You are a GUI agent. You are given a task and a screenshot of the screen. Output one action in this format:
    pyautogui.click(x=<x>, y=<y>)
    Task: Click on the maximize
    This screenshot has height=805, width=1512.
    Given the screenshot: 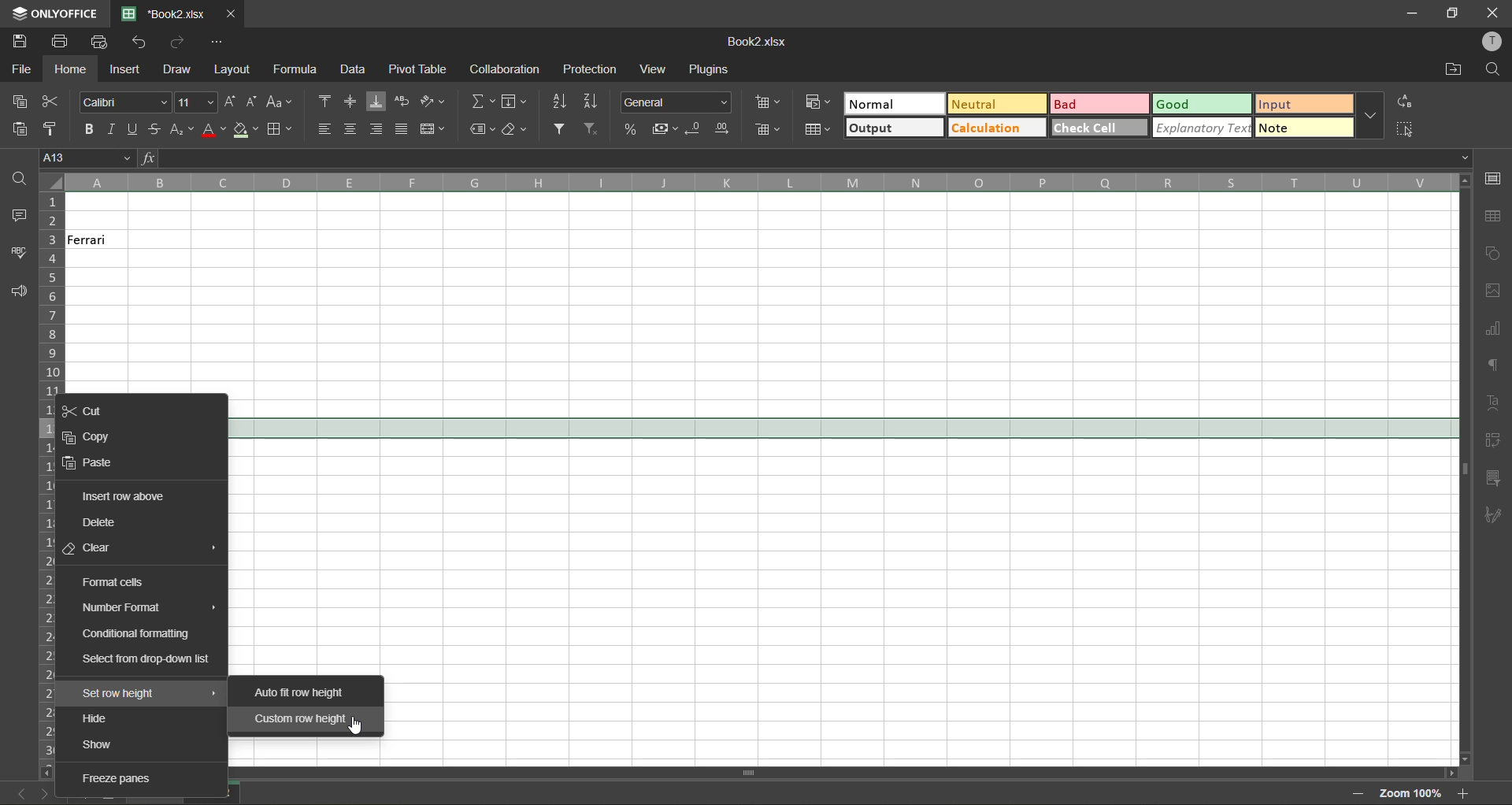 What is the action you would take?
    pyautogui.click(x=1455, y=13)
    